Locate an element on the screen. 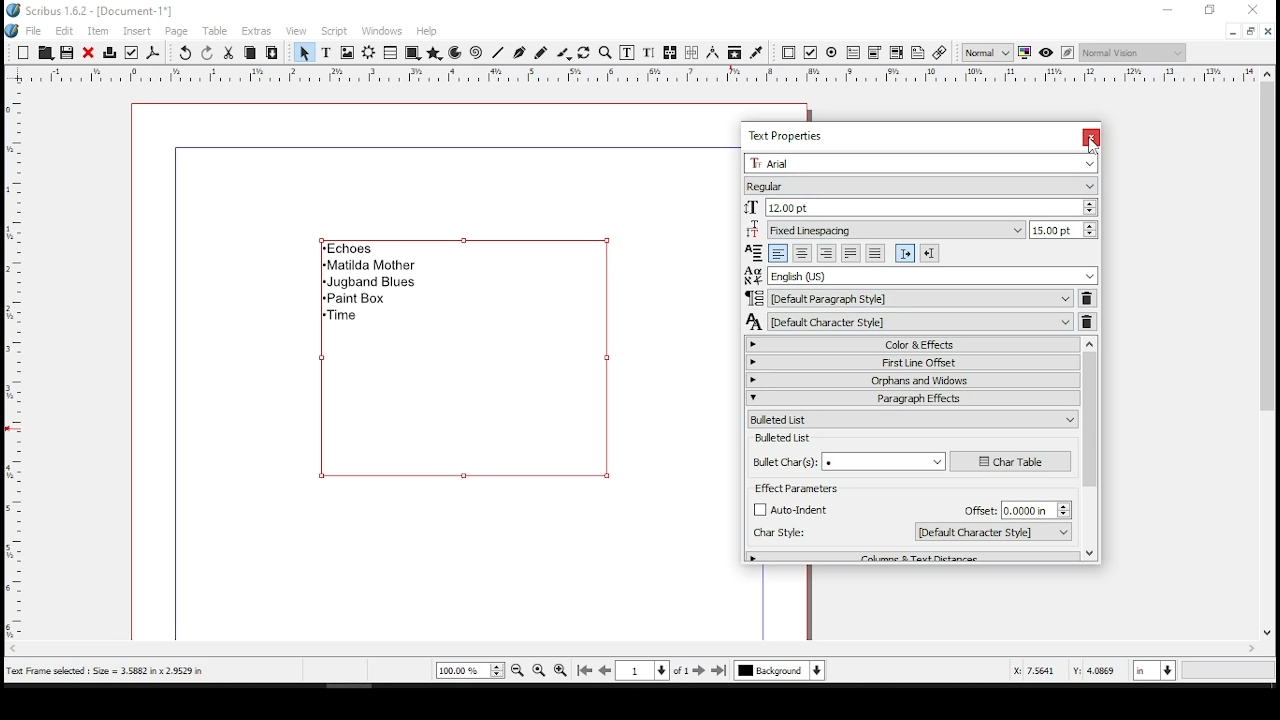  echoes is located at coordinates (349, 248).